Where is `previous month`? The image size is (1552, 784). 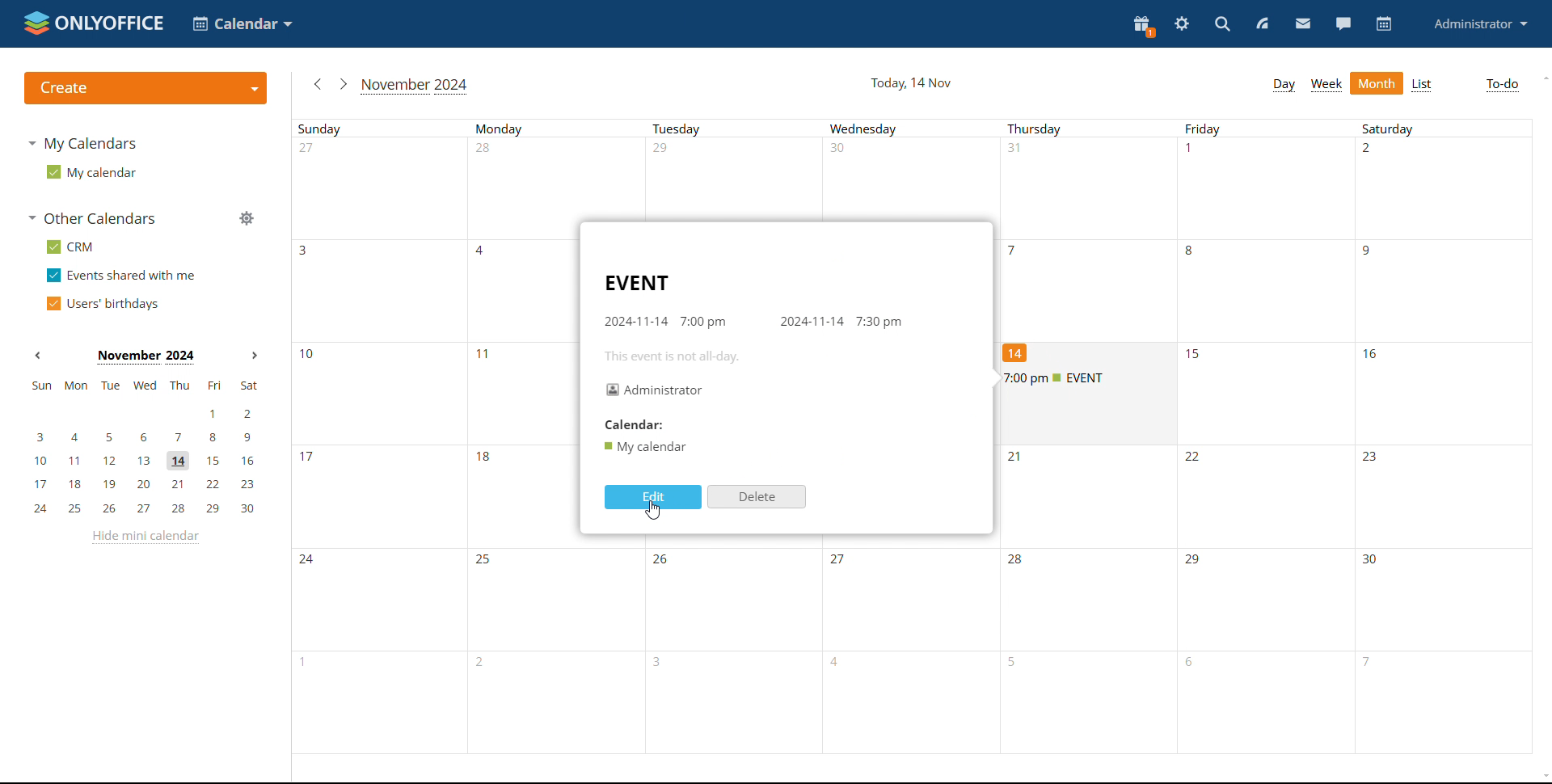 previous month is located at coordinates (38, 355).